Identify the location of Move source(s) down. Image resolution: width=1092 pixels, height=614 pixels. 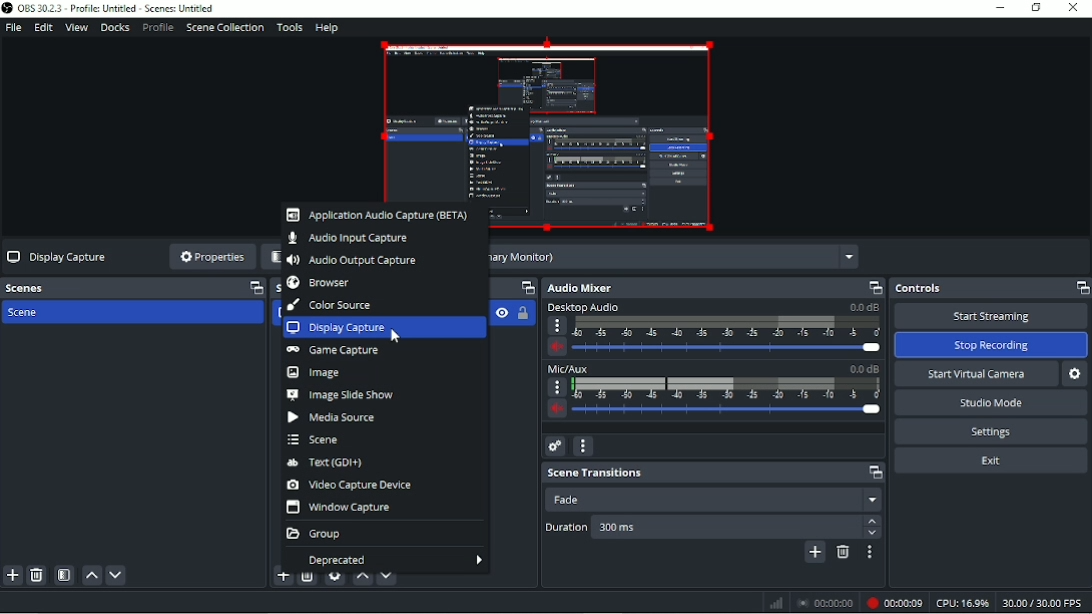
(387, 577).